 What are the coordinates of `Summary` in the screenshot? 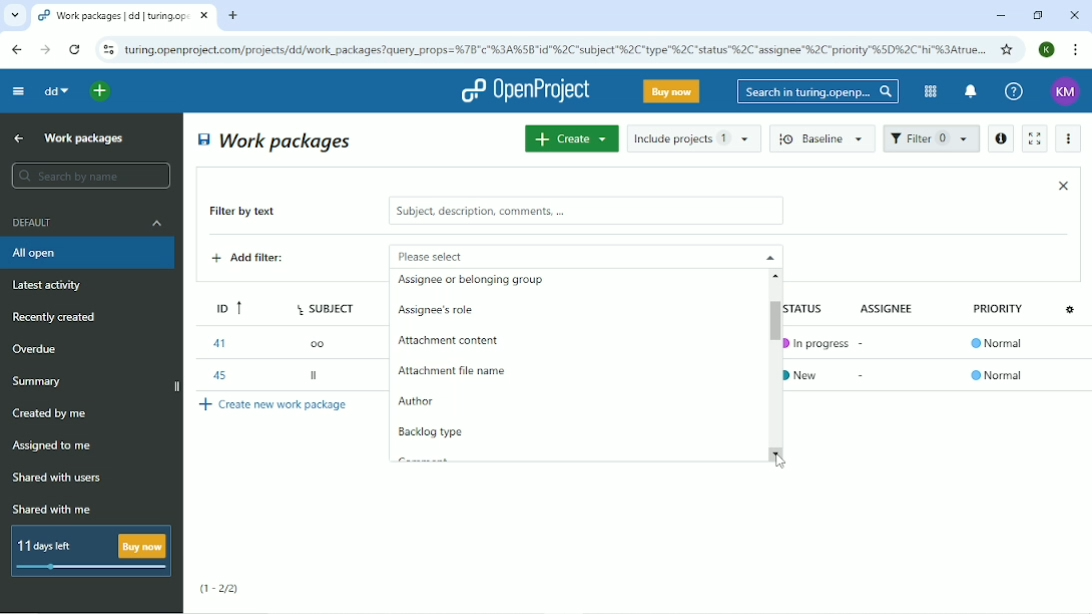 It's located at (40, 381).